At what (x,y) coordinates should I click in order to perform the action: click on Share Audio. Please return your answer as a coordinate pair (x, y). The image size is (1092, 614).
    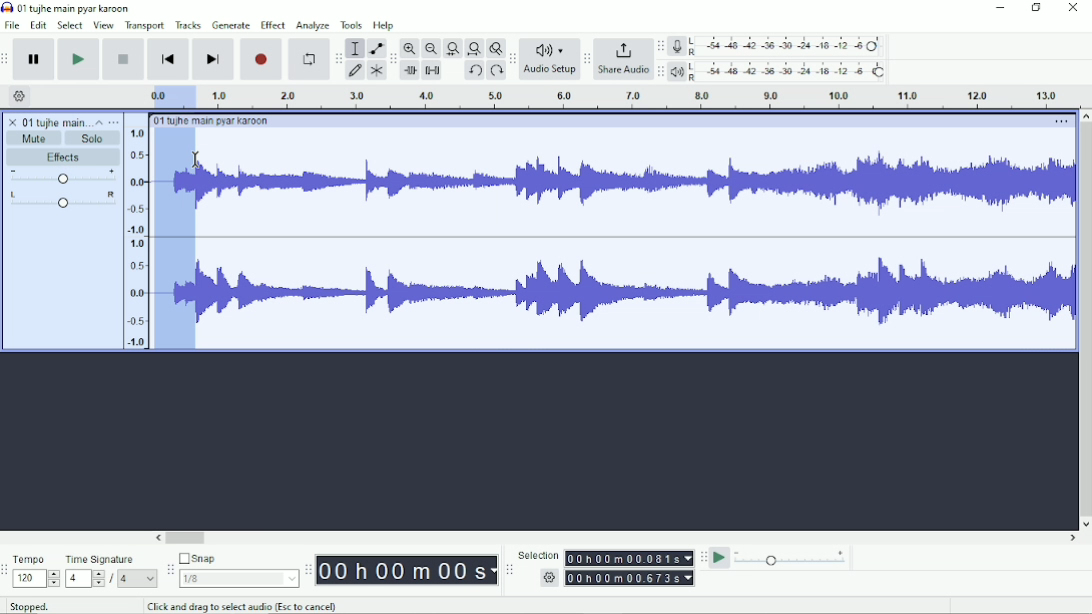
    Looking at the image, I should click on (622, 71).